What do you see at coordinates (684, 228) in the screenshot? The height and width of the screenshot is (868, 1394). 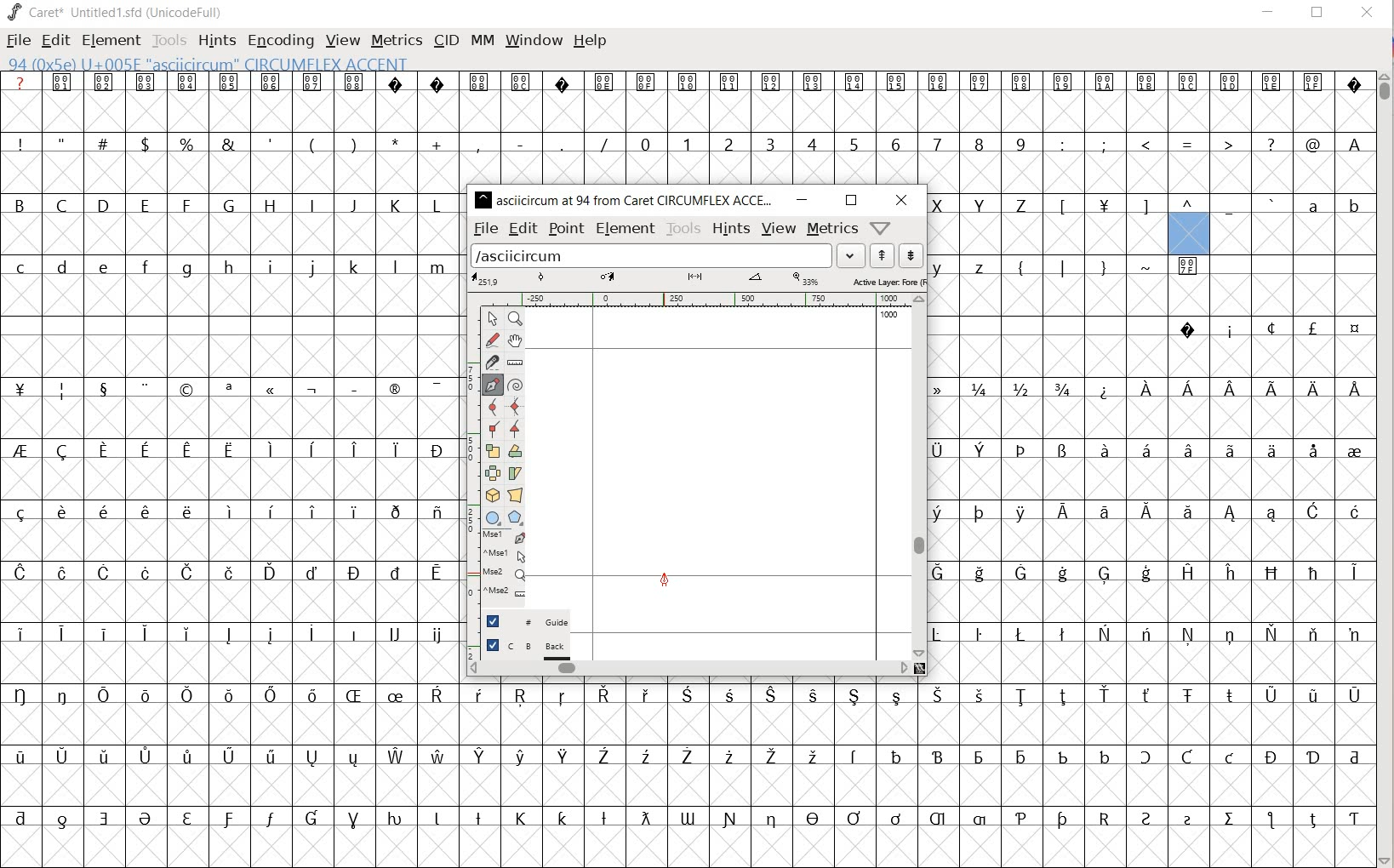 I see `tools` at bounding box center [684, 228].